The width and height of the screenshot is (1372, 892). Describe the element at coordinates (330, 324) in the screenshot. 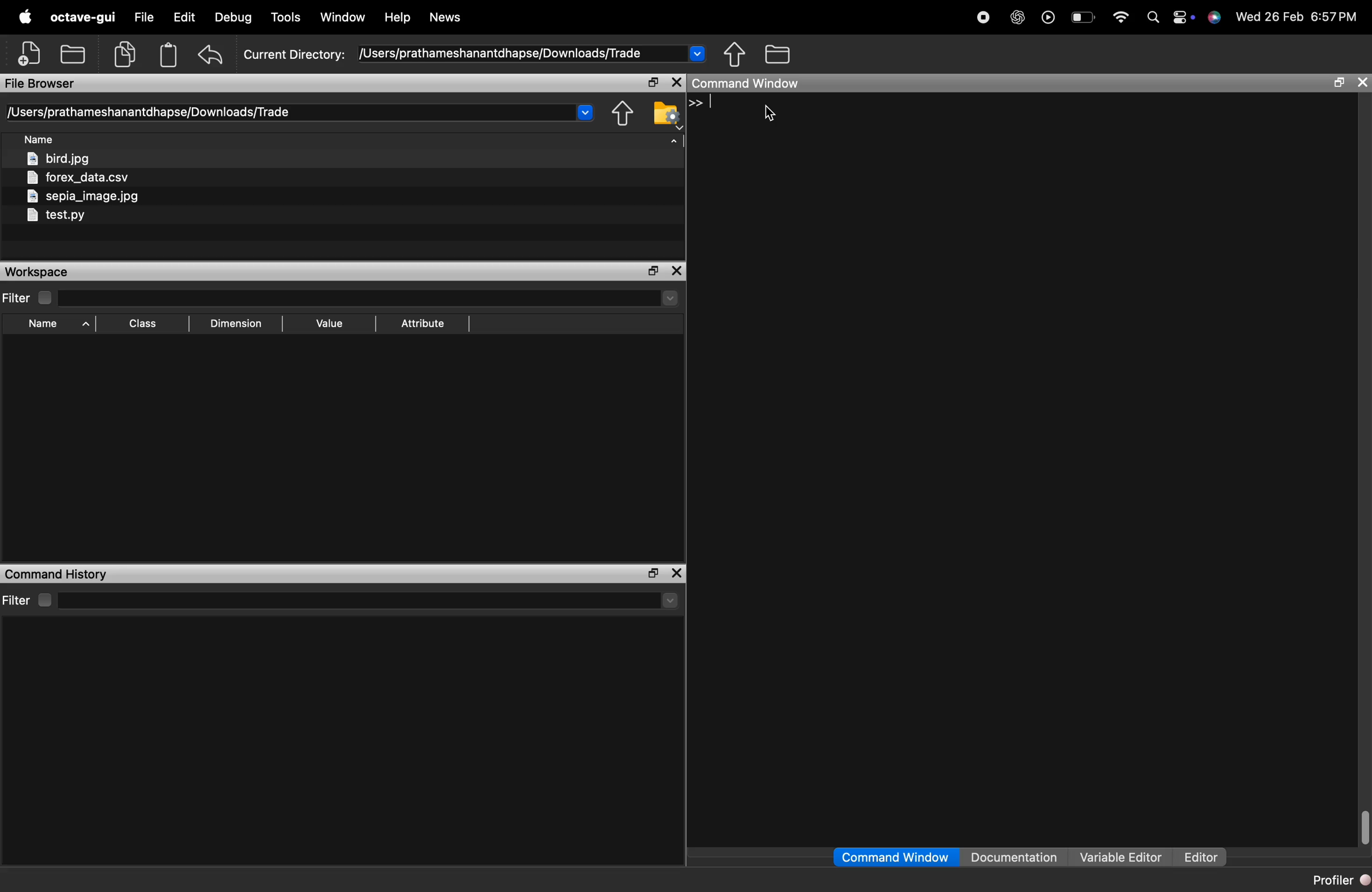

I see `sort by value` at that location.